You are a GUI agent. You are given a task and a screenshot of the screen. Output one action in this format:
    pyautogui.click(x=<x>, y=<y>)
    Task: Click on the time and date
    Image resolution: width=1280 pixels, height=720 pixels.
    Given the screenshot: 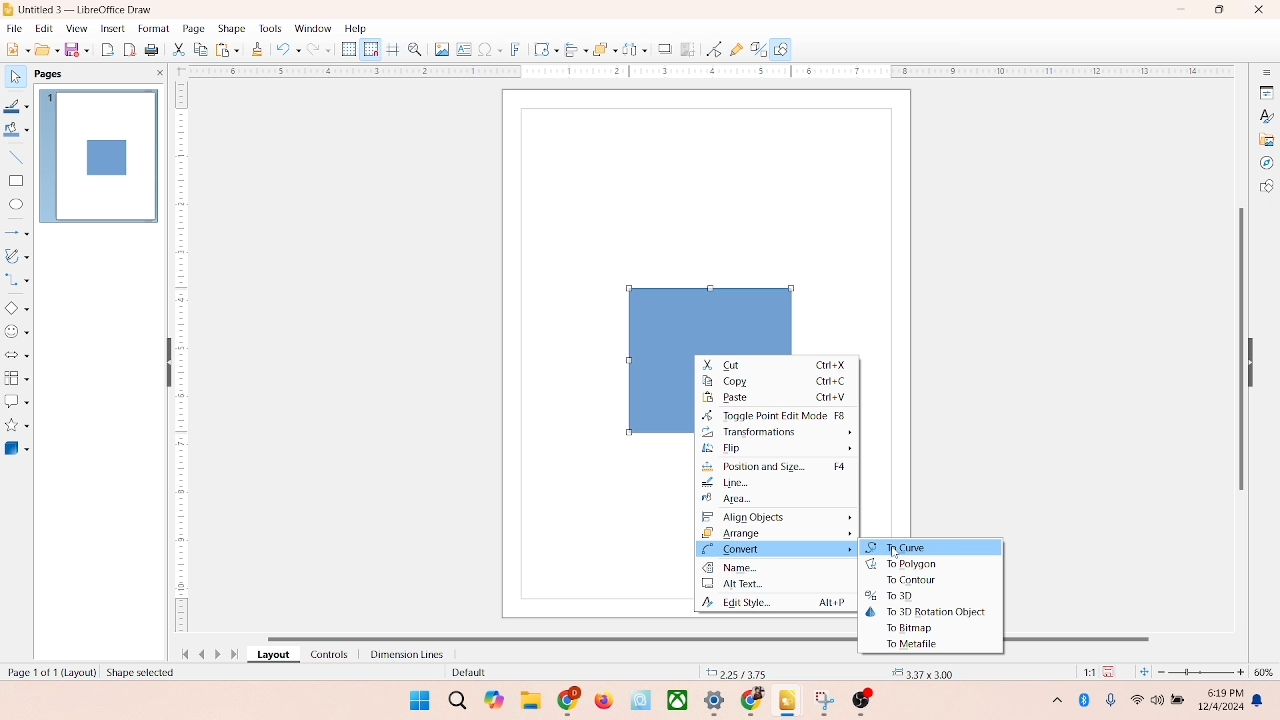 What is the action you would take?
    pyautogui.click(x=1219, y=697)
    